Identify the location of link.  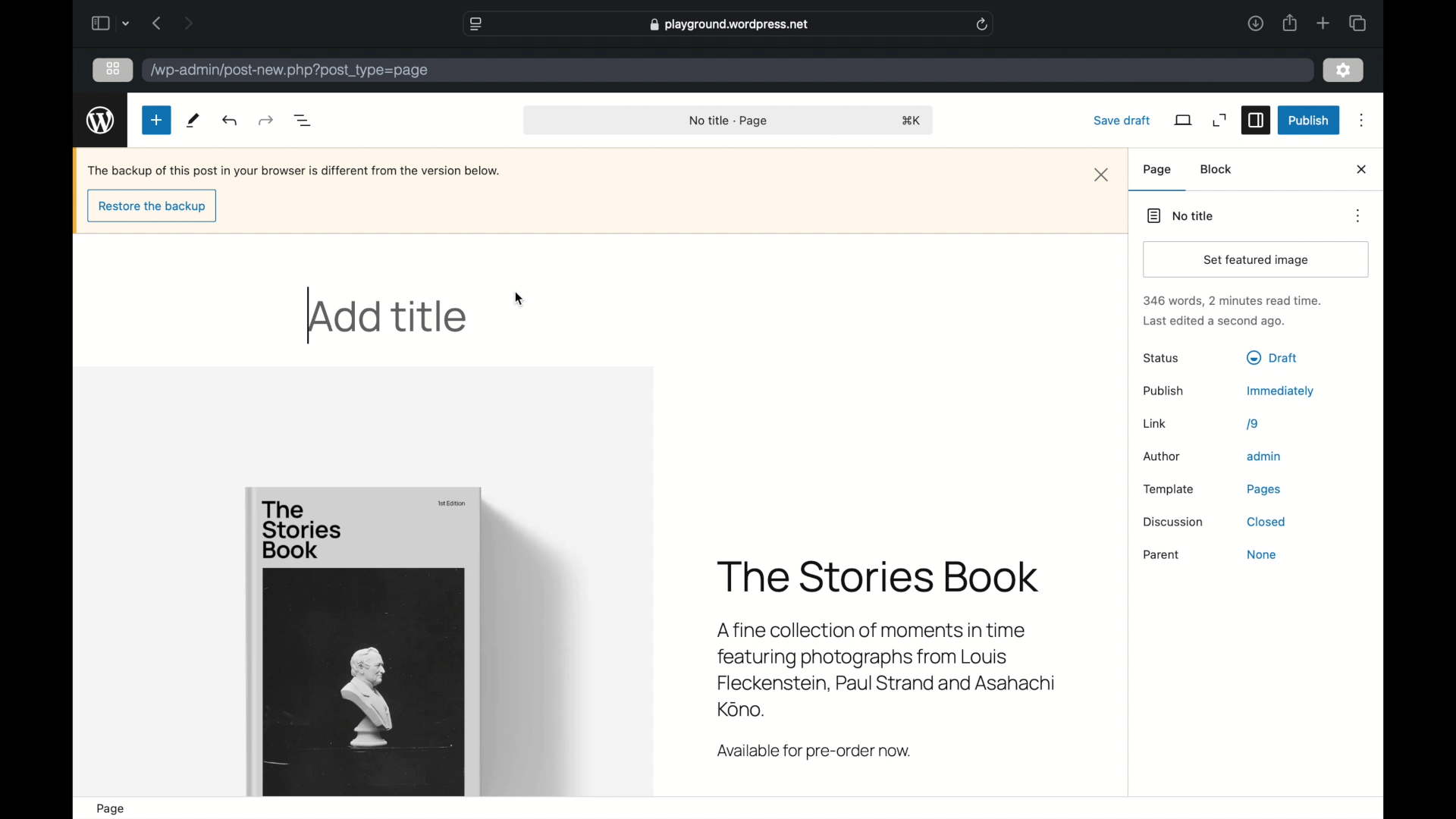
(1155, 424).